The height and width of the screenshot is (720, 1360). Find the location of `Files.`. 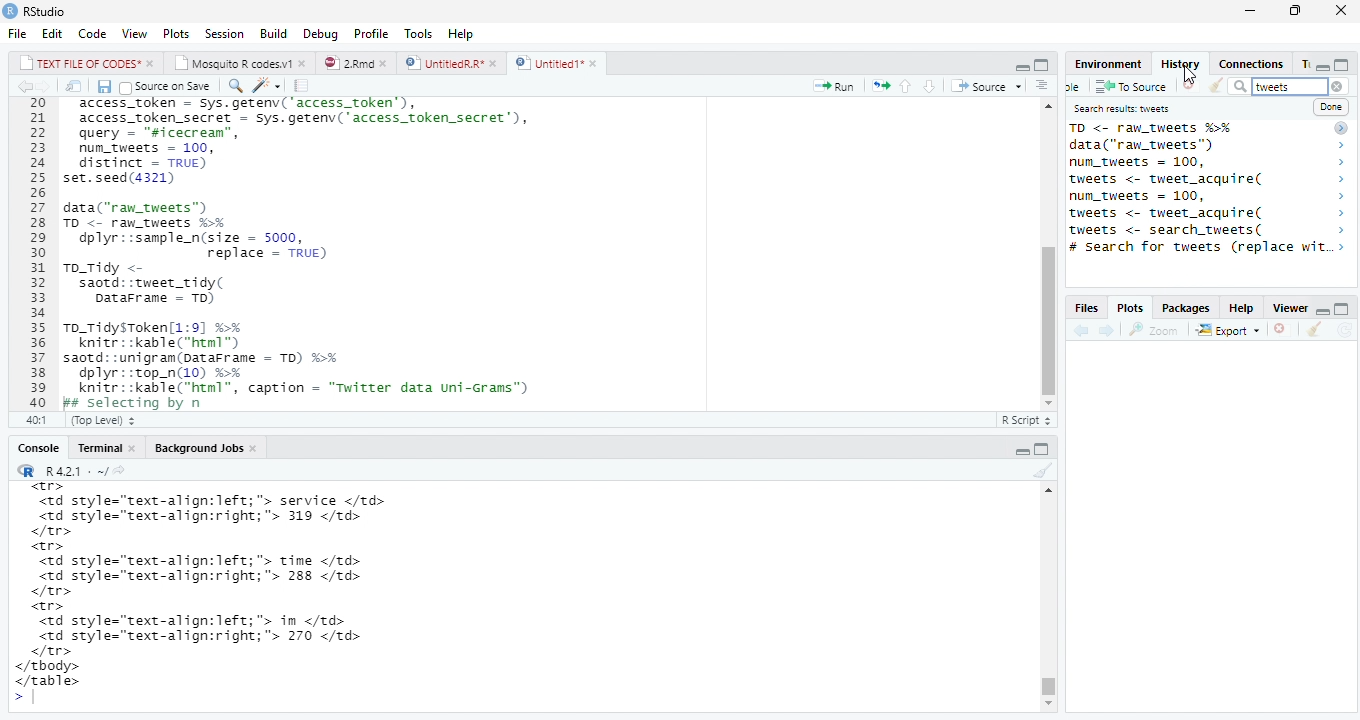

Files. is located at coordinates (1085, 307).